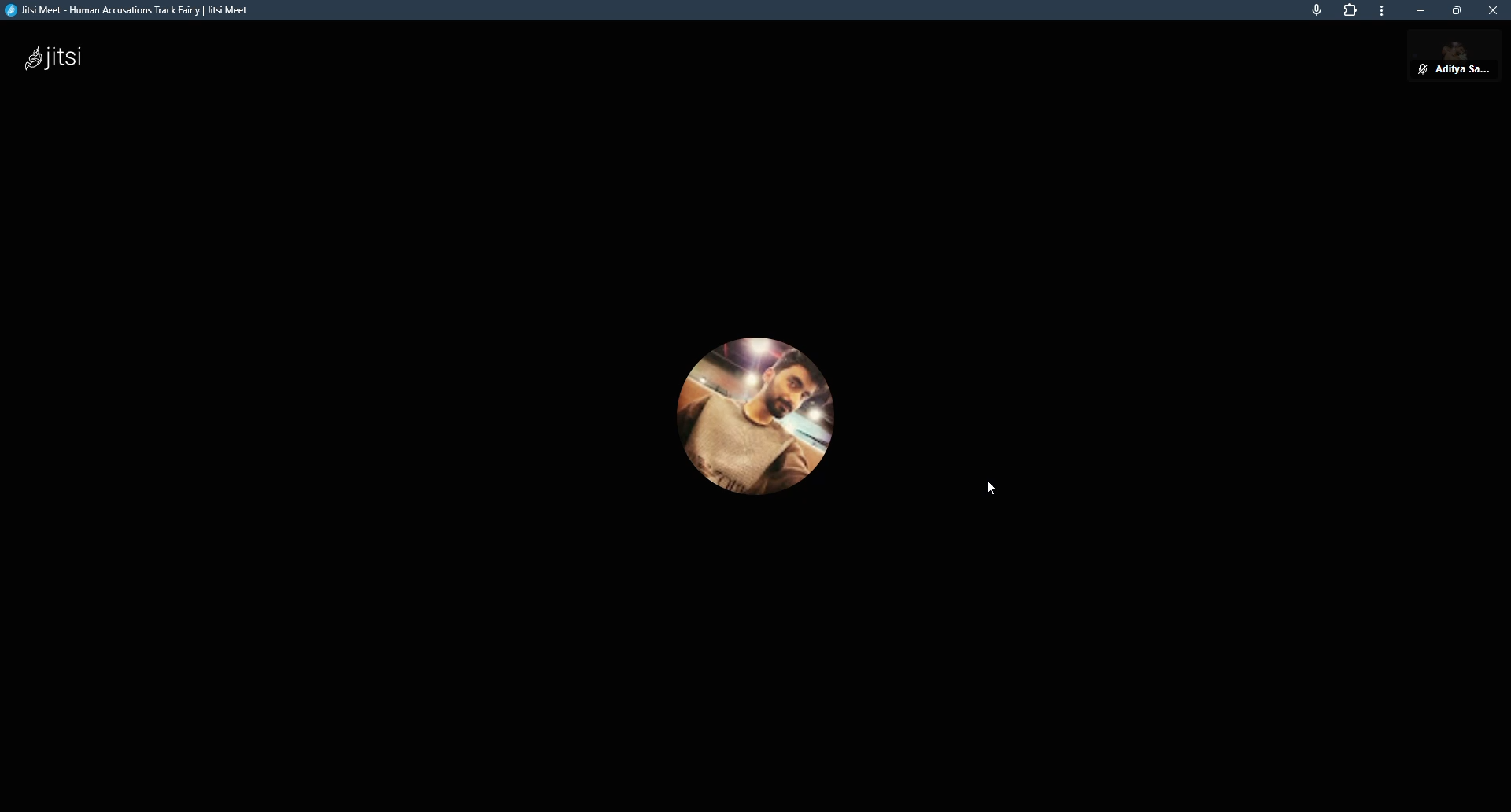 This screenshot has width=1511, height=812. Describe the element at coordinates (1387, 12) in the screenshot. I see `more` at that location.